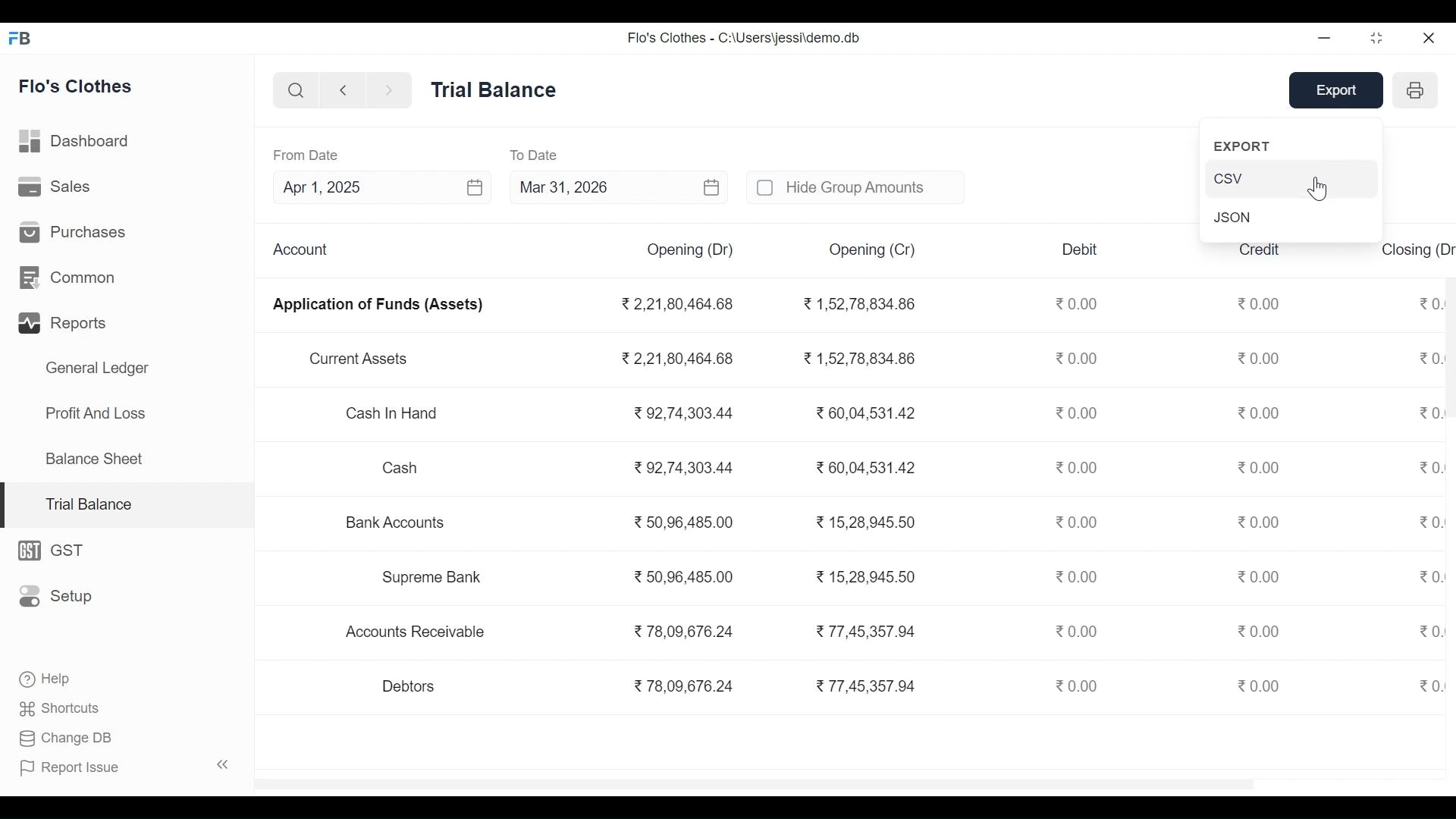 The width and height of the screenshot is (1456, 819). Describe the element at coordinates (537, 154) in the screenshot. I see `To Date` at that location.